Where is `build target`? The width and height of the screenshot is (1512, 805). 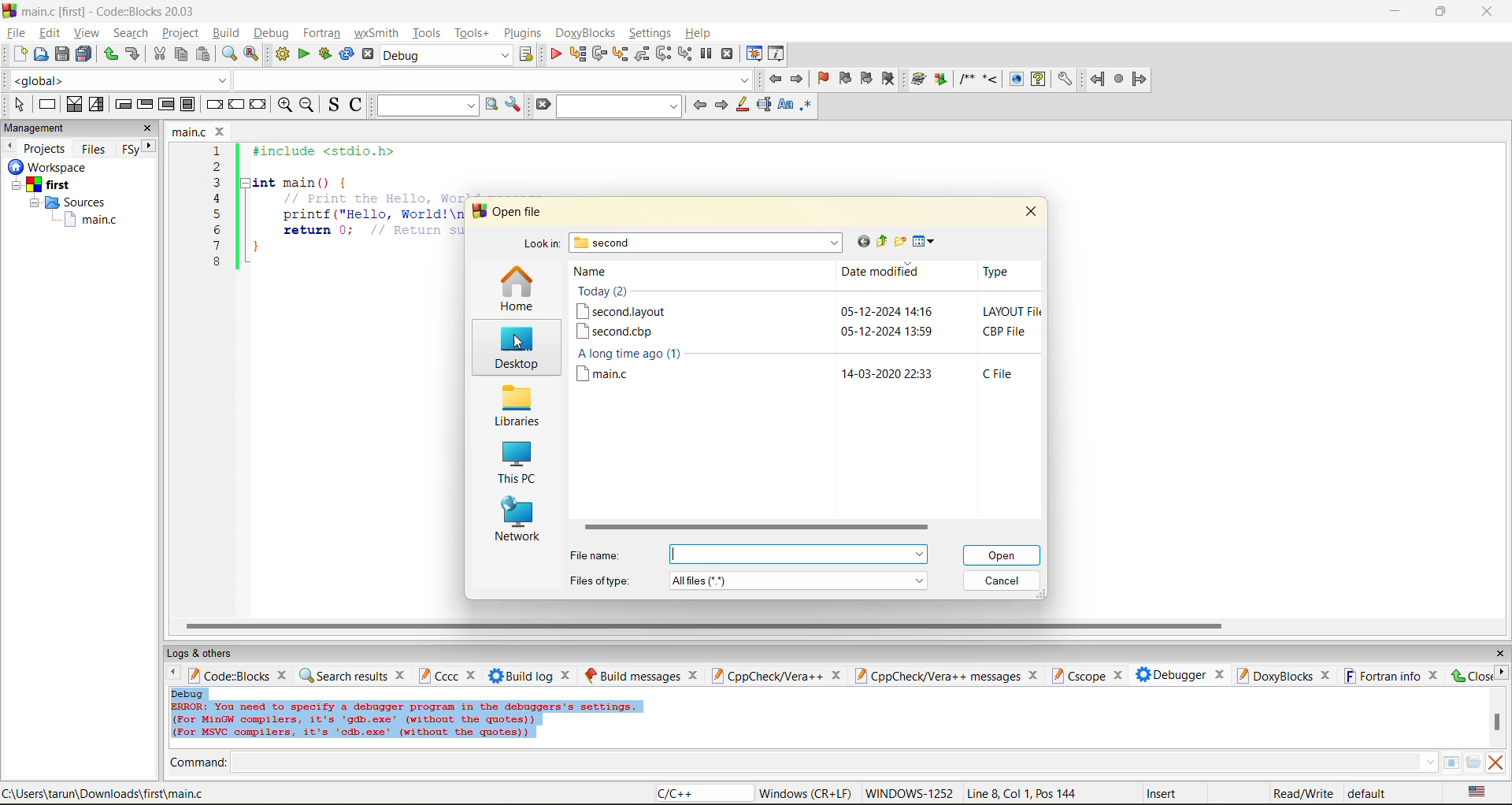 build target is located at coordinates (447, 54).